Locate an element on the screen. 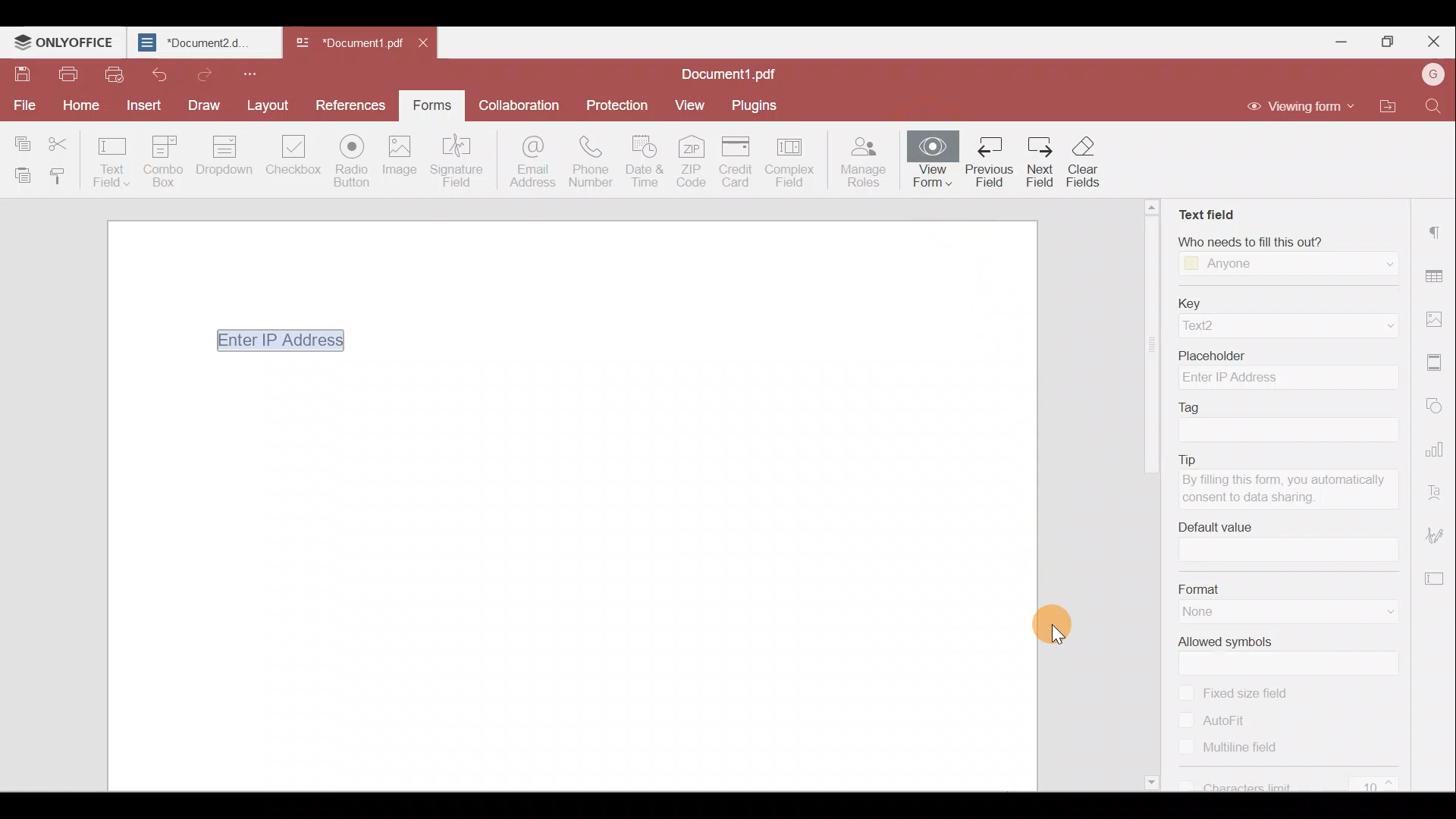 Image resolution: width=1456 pixels, height=819 pixels. Copy is located at coordinates (21, 138).